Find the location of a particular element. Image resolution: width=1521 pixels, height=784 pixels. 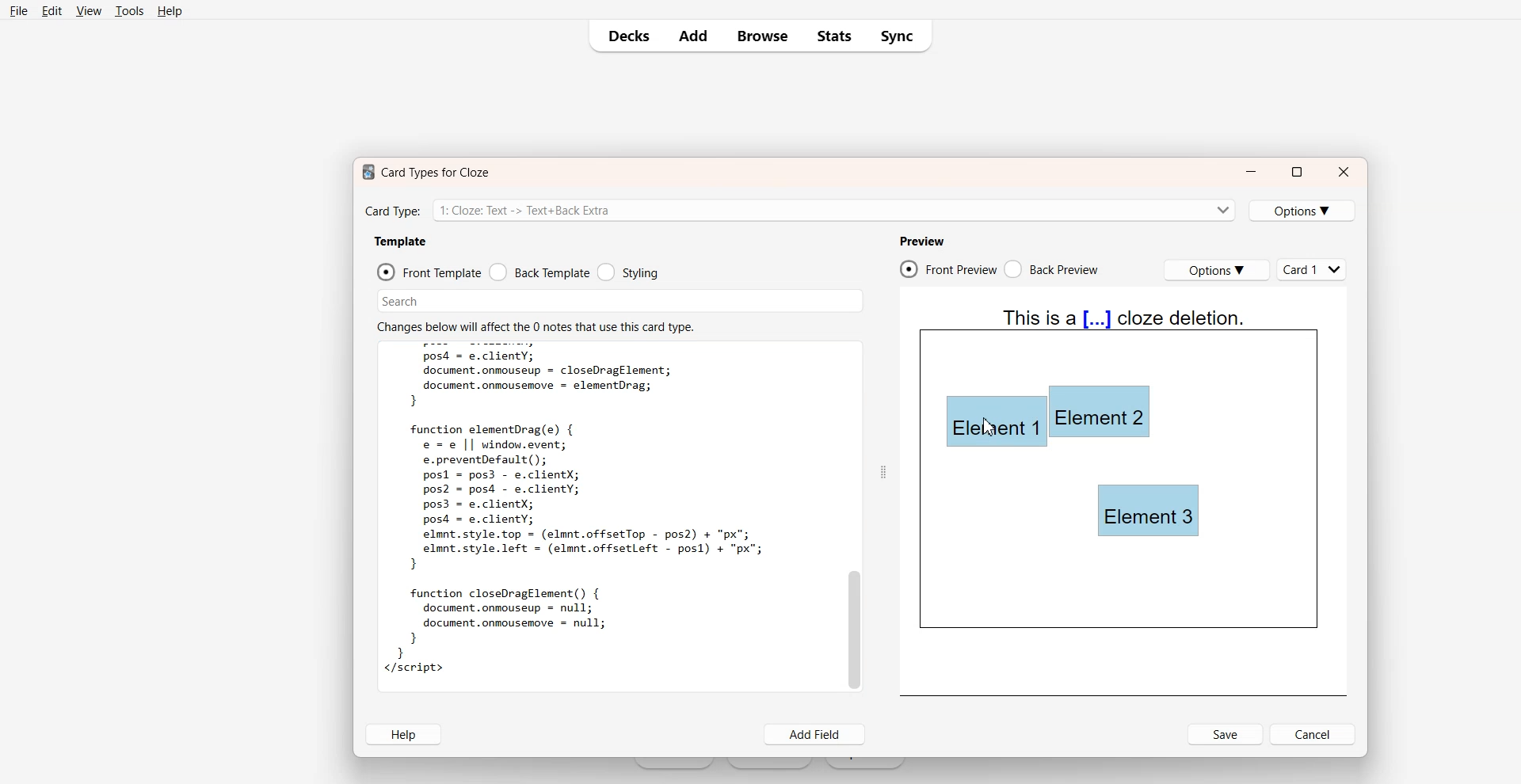

Decks is located at coordinates (623, 36).